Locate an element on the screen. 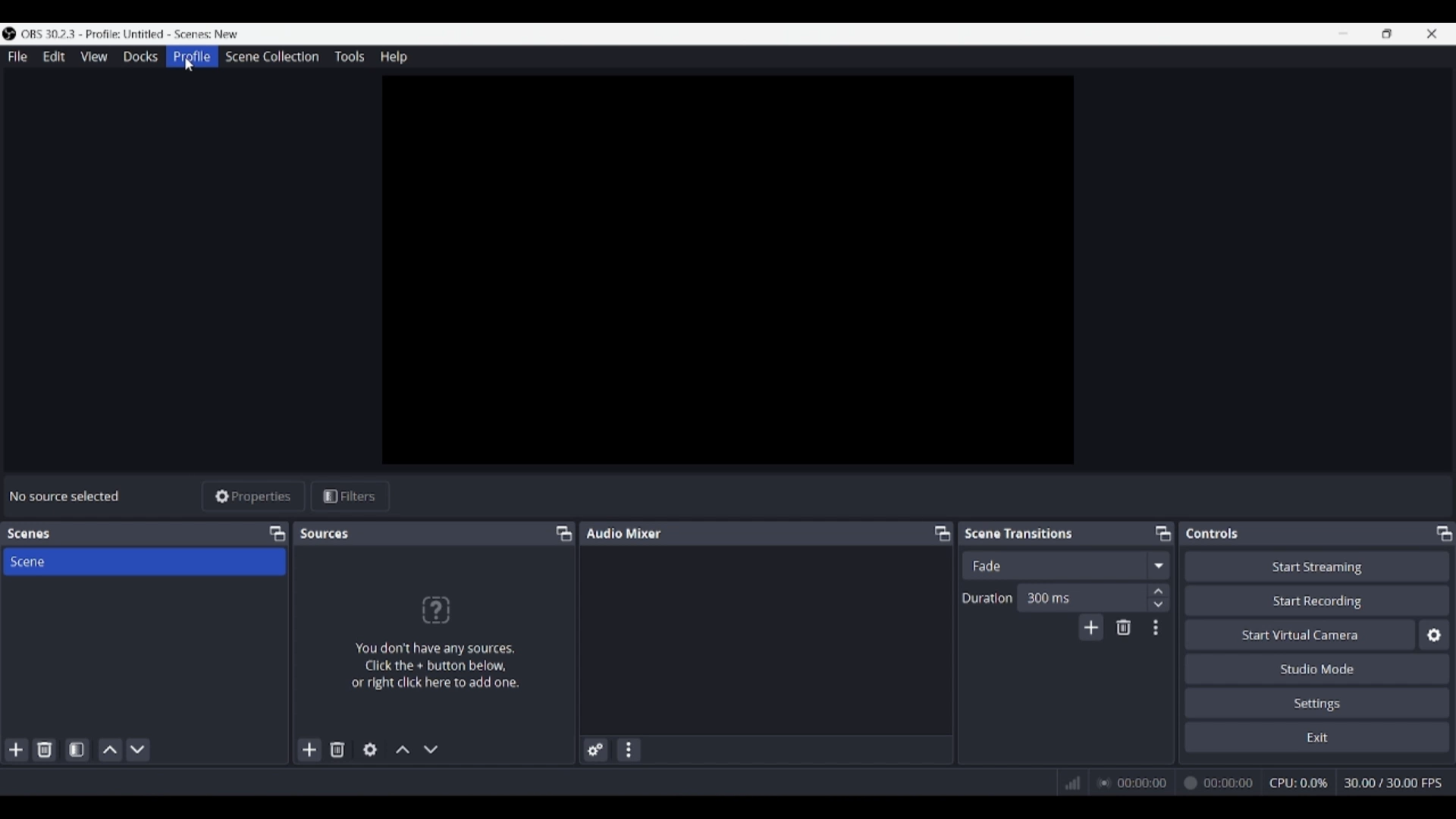 This screenshot has height=819, width=1456. Open source properties is located at coordinates (370, 750).